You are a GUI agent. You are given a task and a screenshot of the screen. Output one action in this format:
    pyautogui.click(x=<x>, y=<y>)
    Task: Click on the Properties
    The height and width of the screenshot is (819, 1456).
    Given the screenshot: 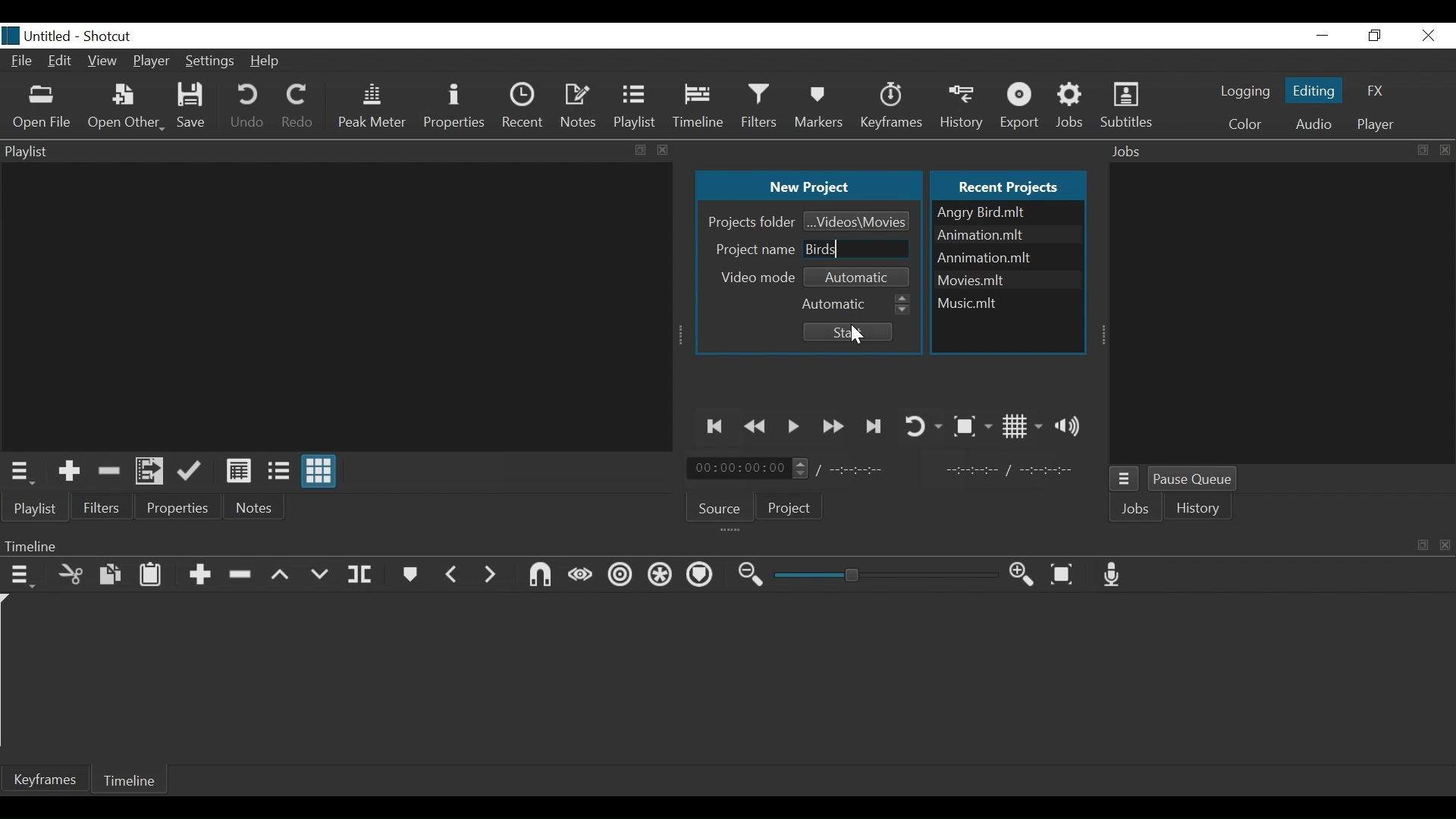 What is the action you would take?
    pyautogui.click(x=179, y=507)
    